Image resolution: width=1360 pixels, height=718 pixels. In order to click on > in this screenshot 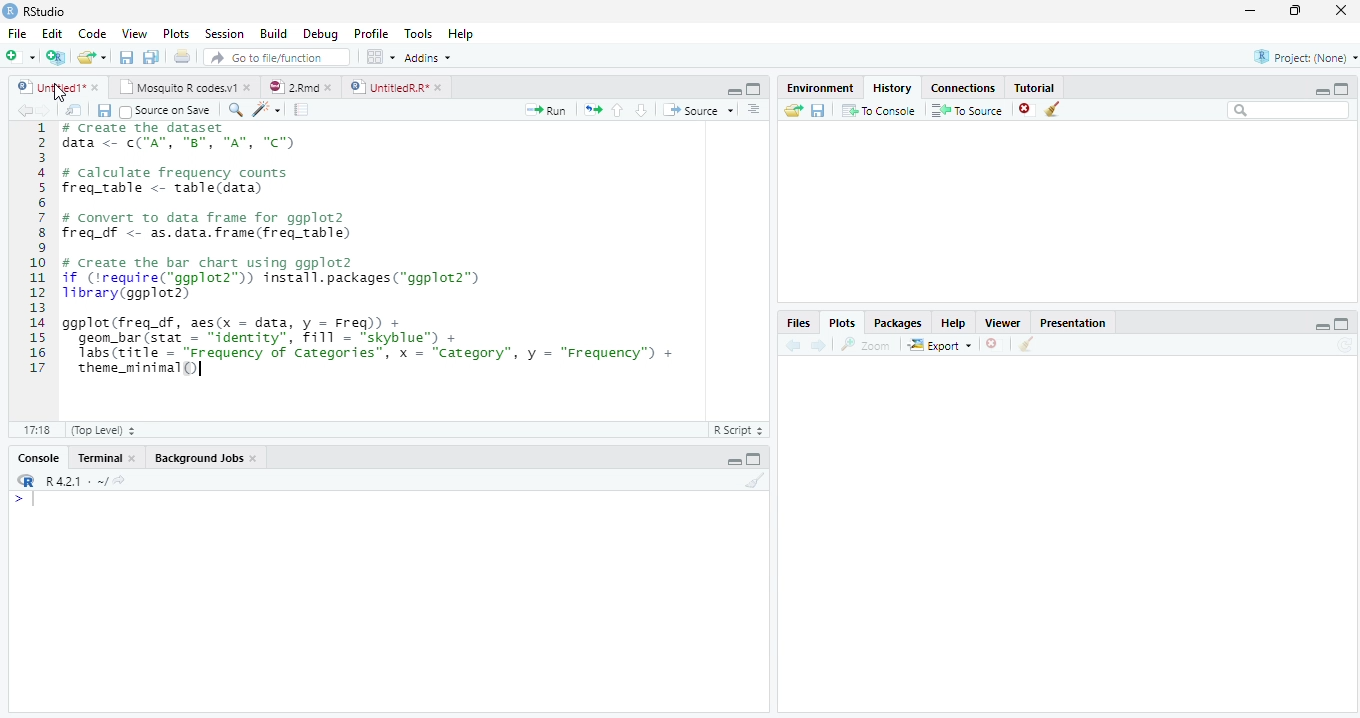, I will do `click(13, 498)`.